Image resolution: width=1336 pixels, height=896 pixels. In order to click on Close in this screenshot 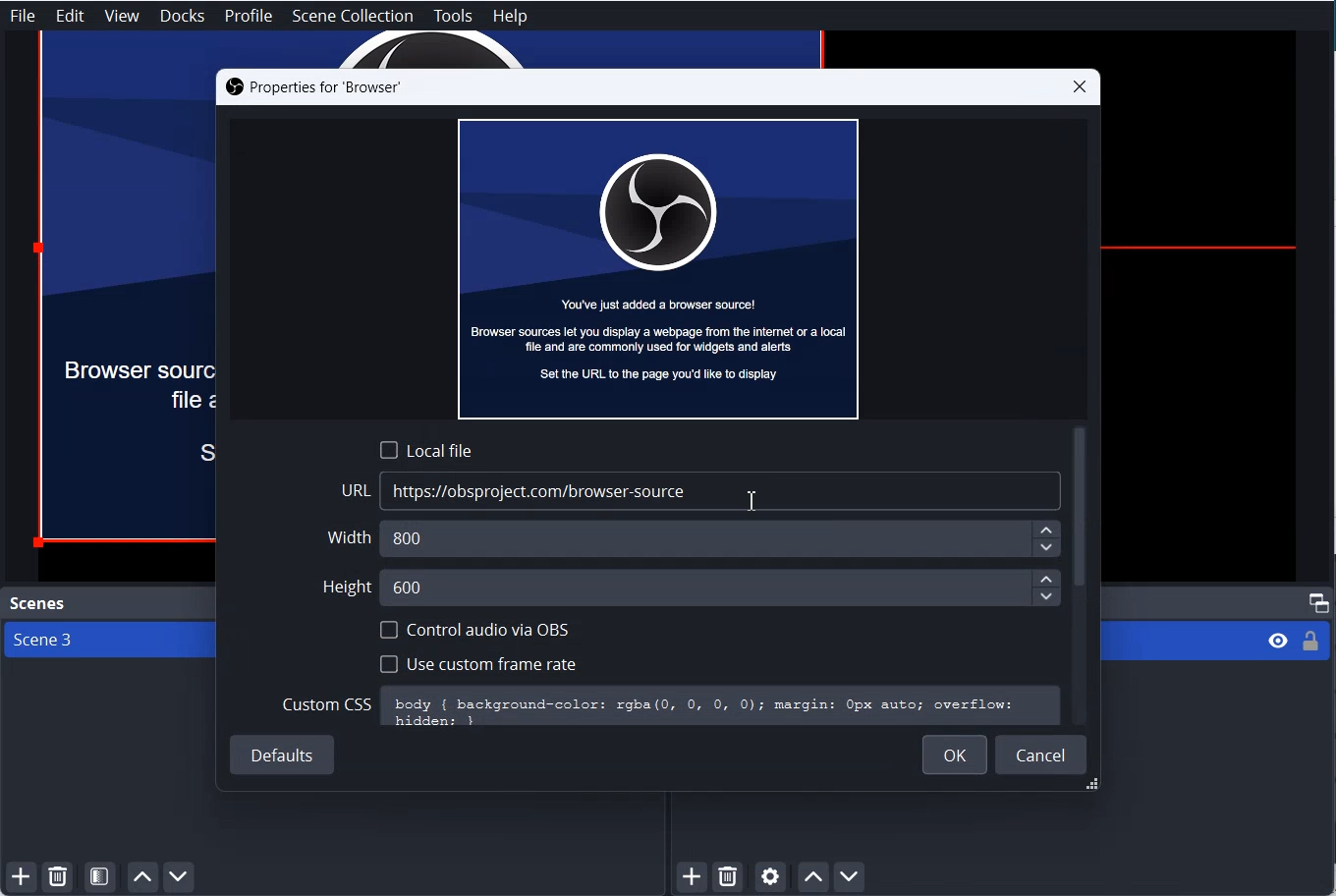, I will do `click(1080, 86)`.